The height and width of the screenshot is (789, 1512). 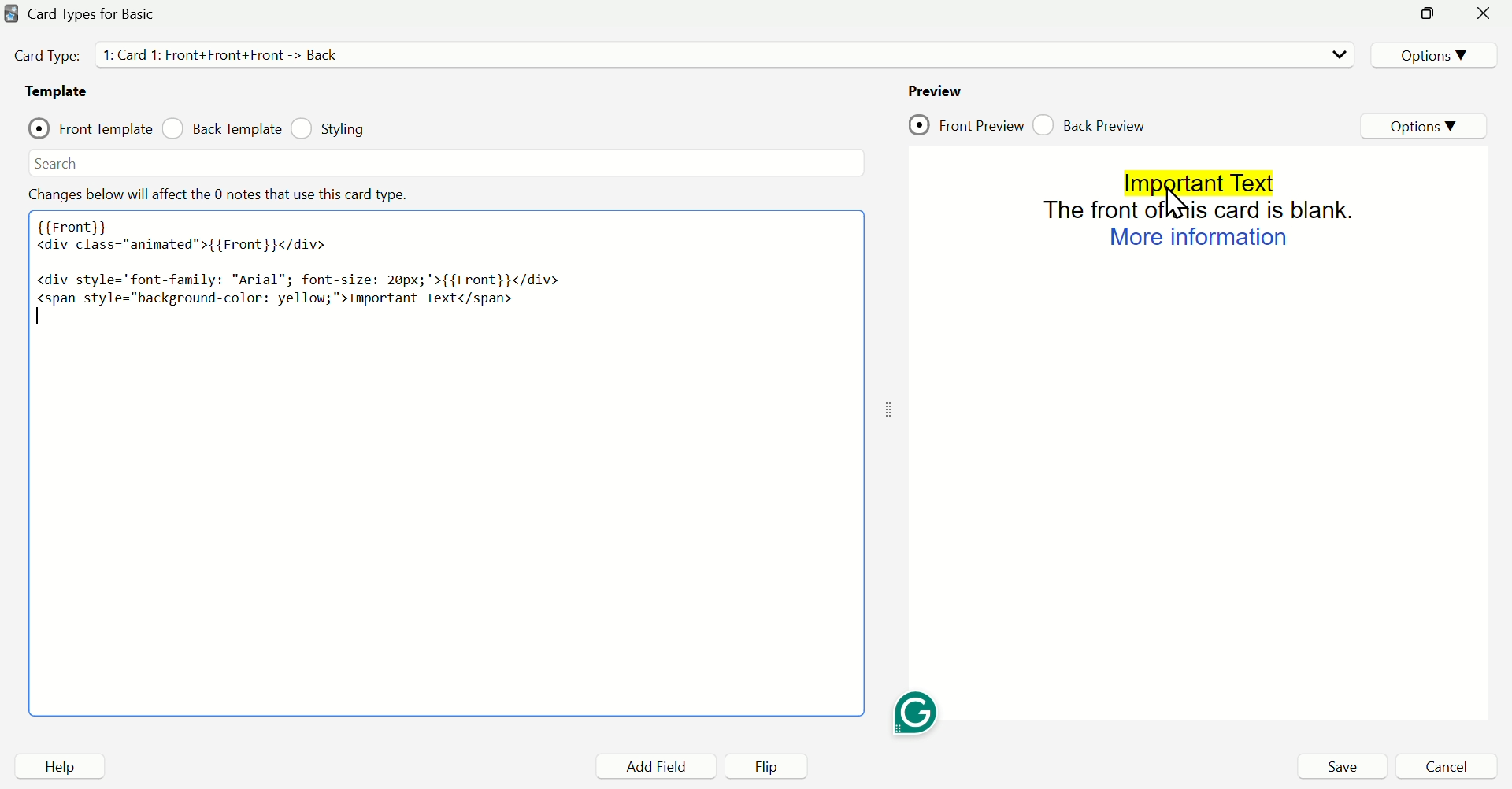 I want to click on The Front of this card is blank, so click(x=1205, y=212).